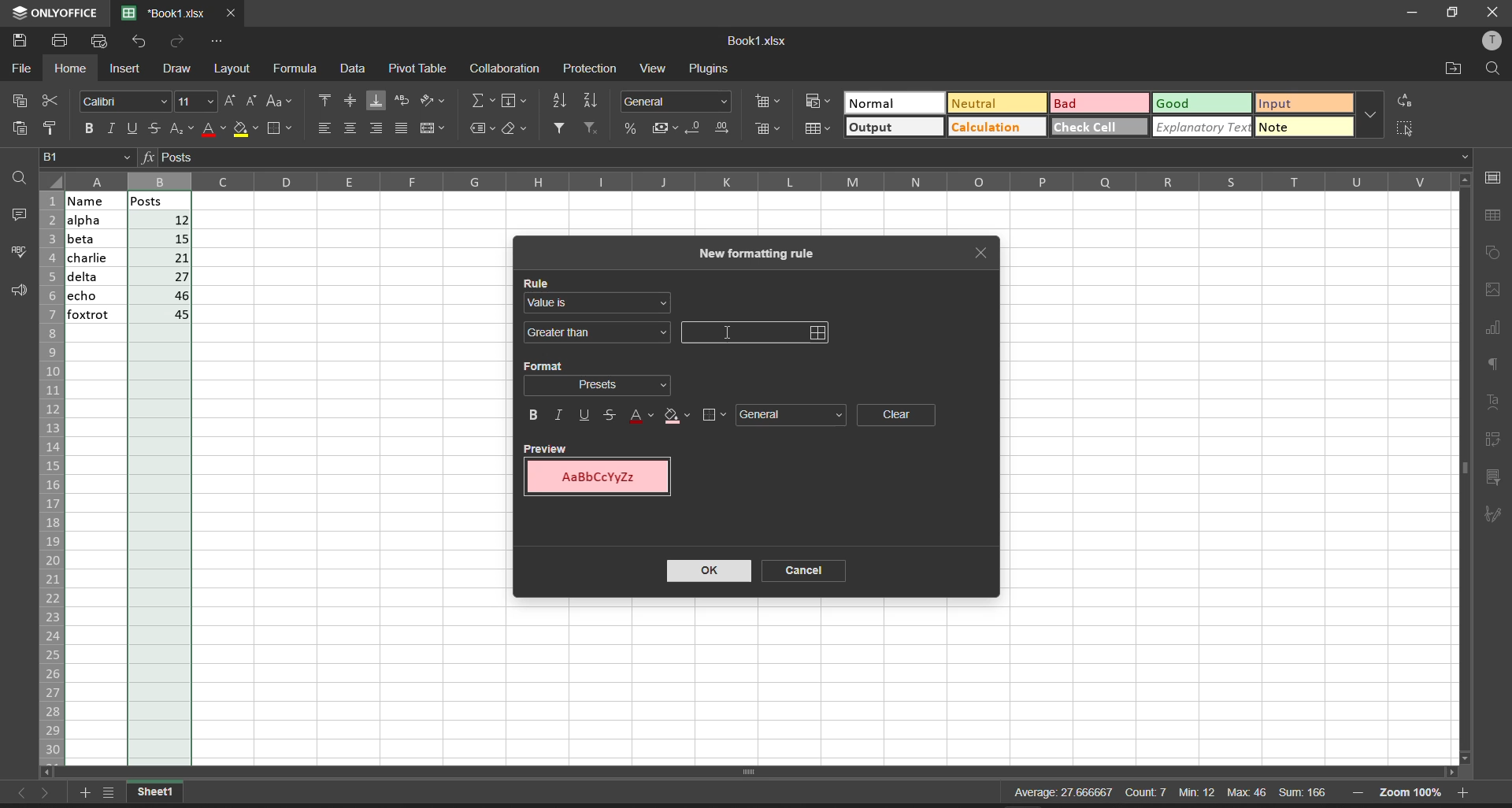  What do you see at coordinates (1157, 794) in the screenshot?
I see `Average: 27.666667 Count:7 Min: 12 Max 46 Sum: 166` at bounding box center [1157, 794].